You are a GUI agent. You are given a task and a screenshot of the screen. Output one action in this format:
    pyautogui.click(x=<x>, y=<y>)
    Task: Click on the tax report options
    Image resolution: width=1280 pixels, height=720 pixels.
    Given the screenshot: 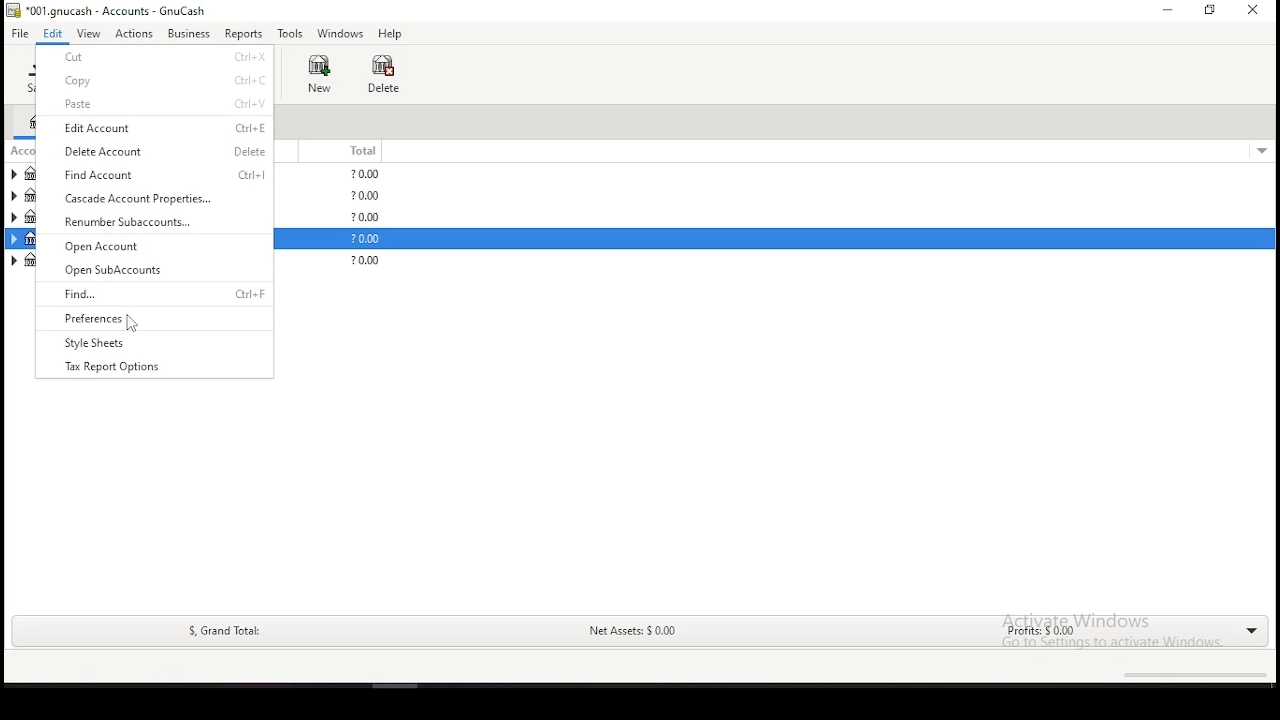 What is the action you would take?
    pyautogui.click(x=117, y=364)
    